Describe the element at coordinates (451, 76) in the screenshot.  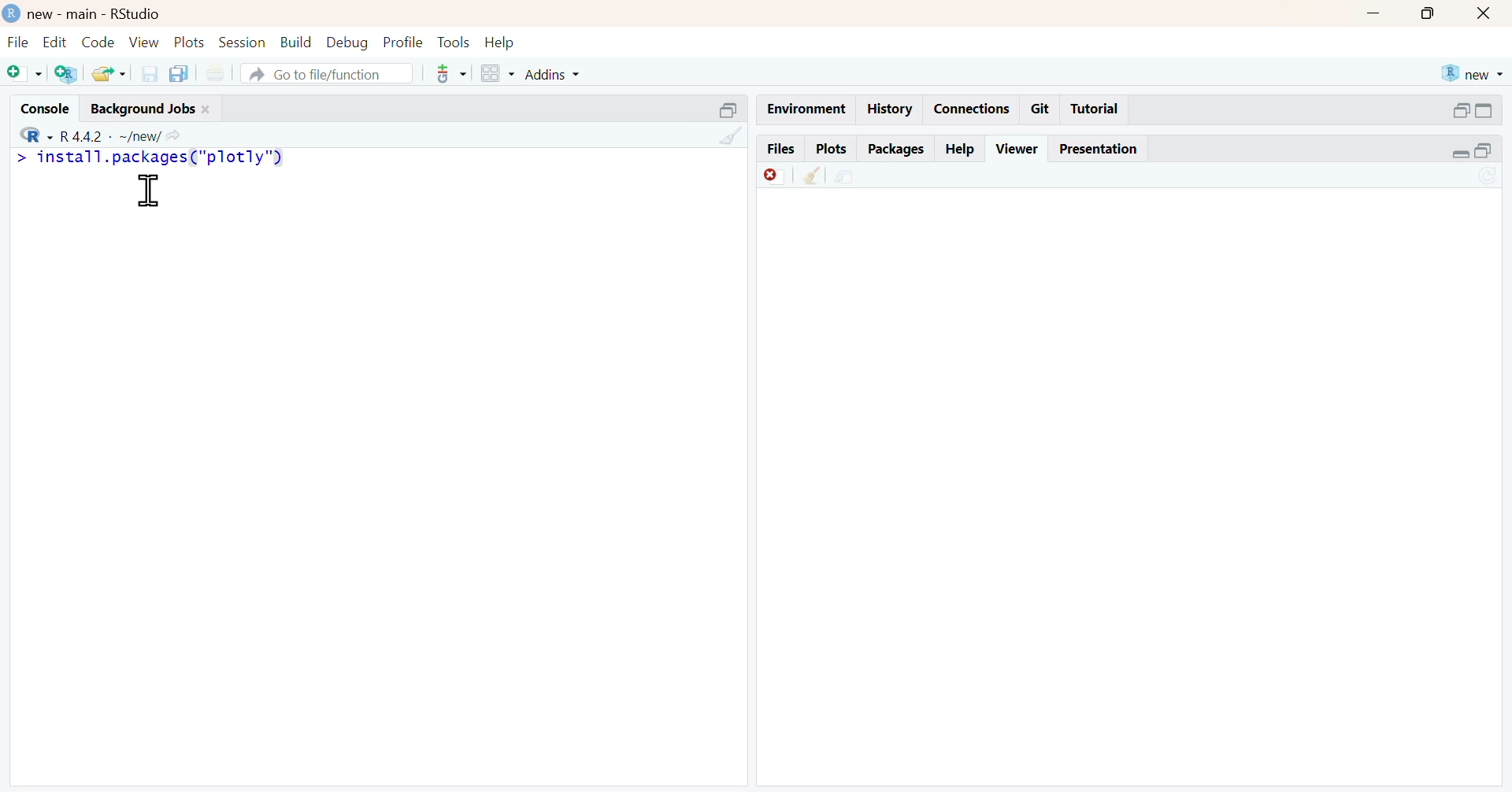
I see `git pane` at that location.